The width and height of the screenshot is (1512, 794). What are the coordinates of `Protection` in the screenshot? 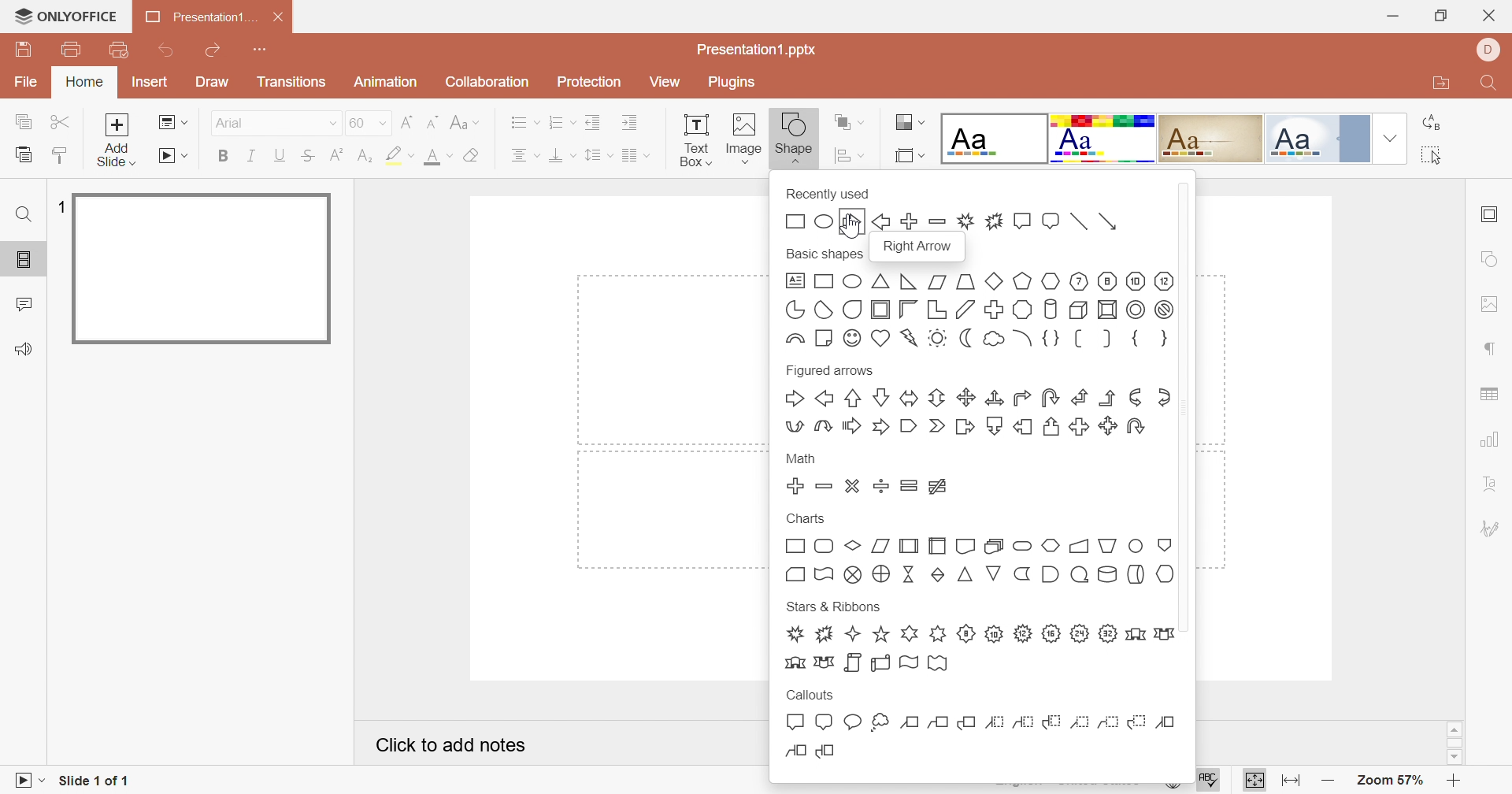 It's located at (587, 86).